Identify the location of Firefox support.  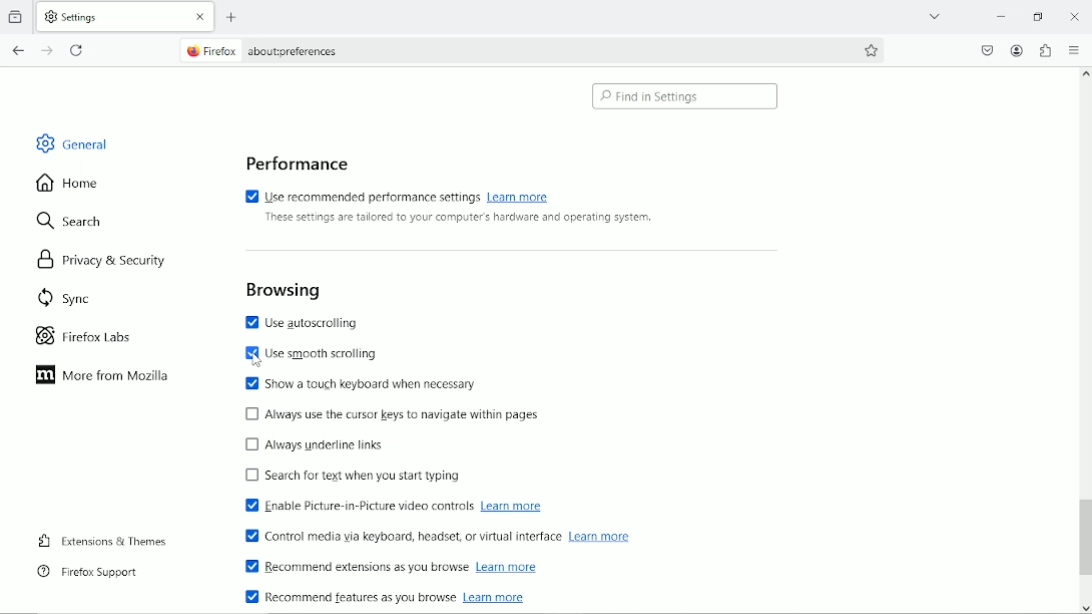
(88, 571).